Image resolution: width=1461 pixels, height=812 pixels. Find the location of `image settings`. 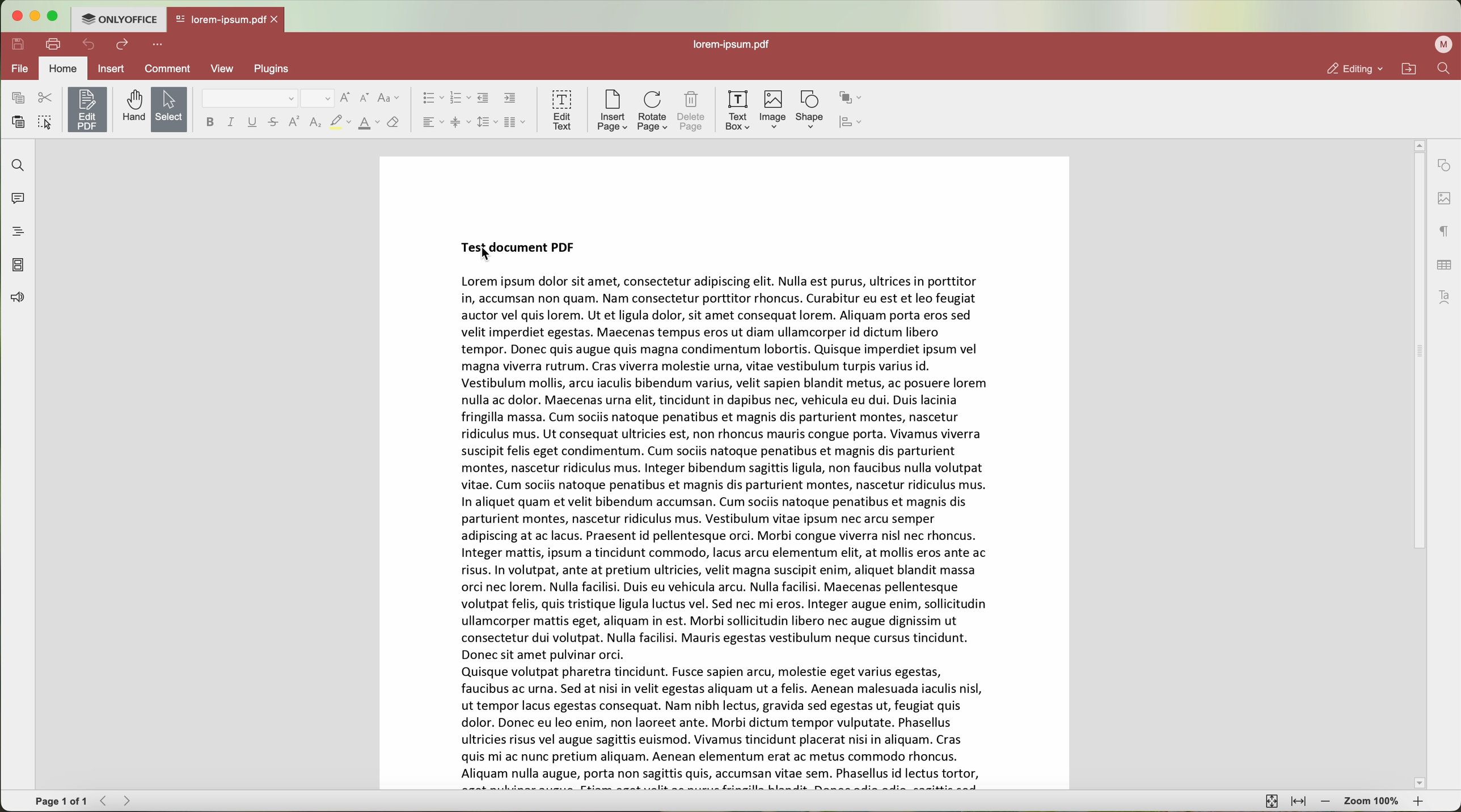

image settings is located at coordinates (1445, 200).